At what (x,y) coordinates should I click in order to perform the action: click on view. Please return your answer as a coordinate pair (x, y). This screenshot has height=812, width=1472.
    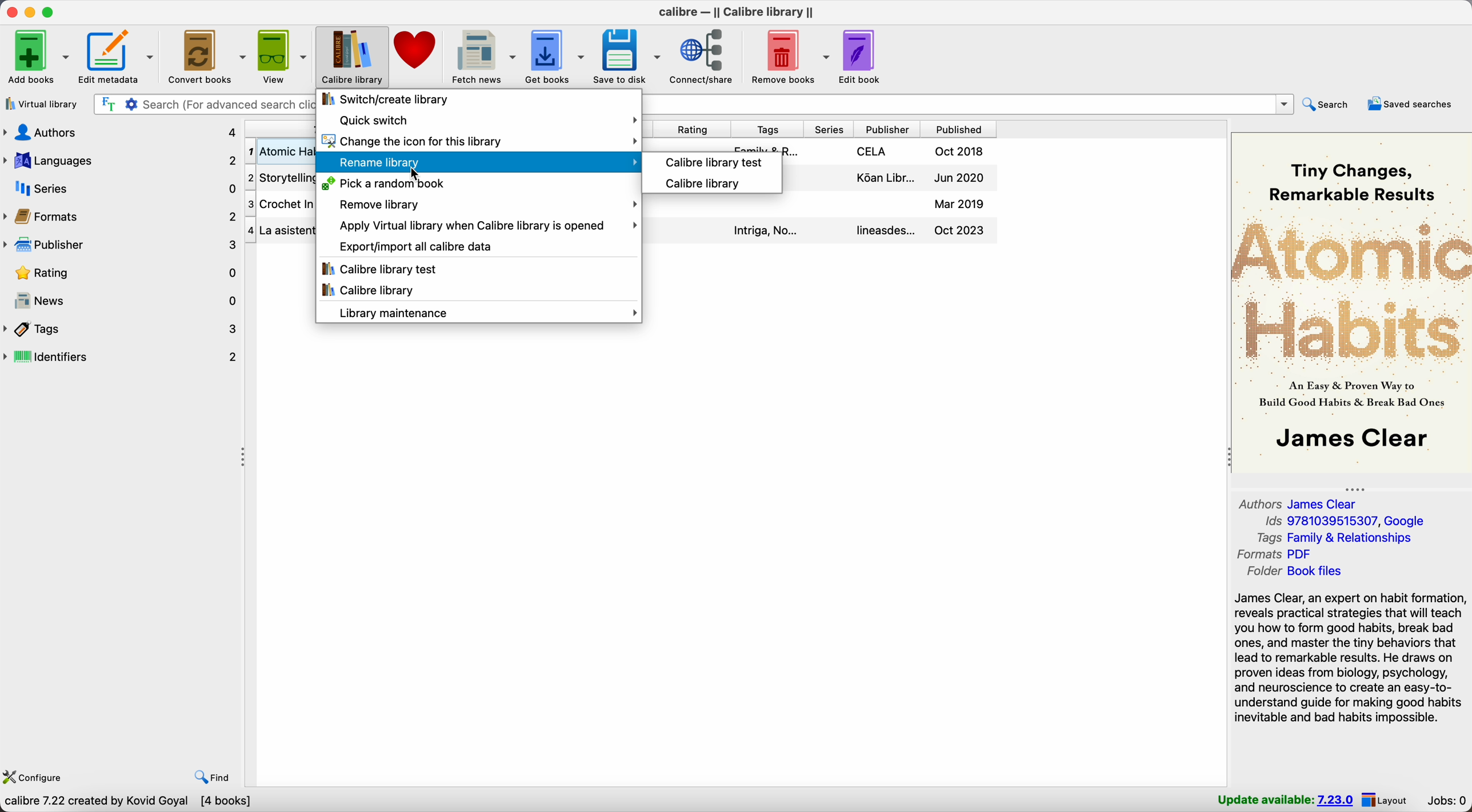
    Looking at the image, I should click on (283, 57).